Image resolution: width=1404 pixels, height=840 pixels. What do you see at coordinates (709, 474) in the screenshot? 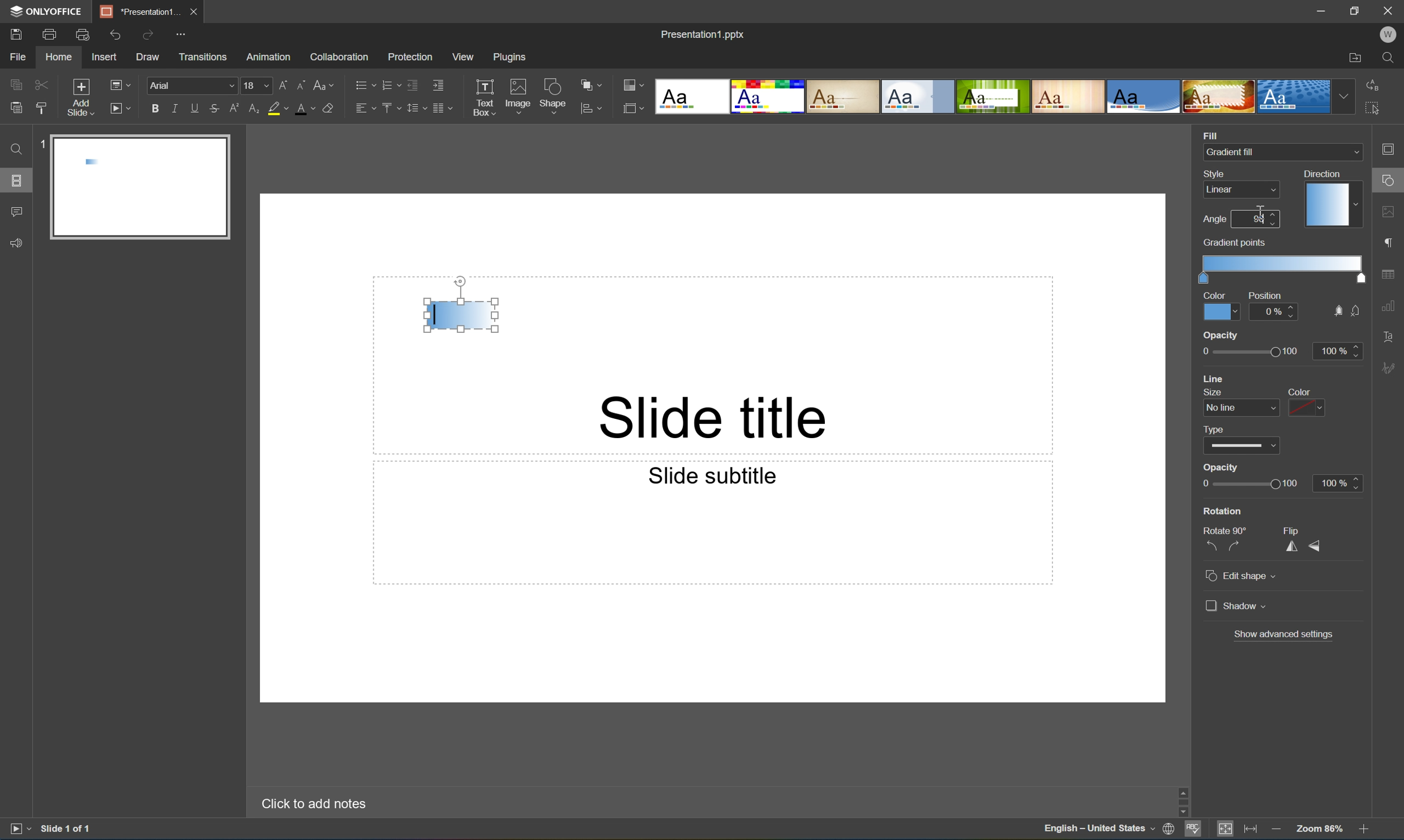
I see `Slide subtitle` at bounding box center [709, 474].